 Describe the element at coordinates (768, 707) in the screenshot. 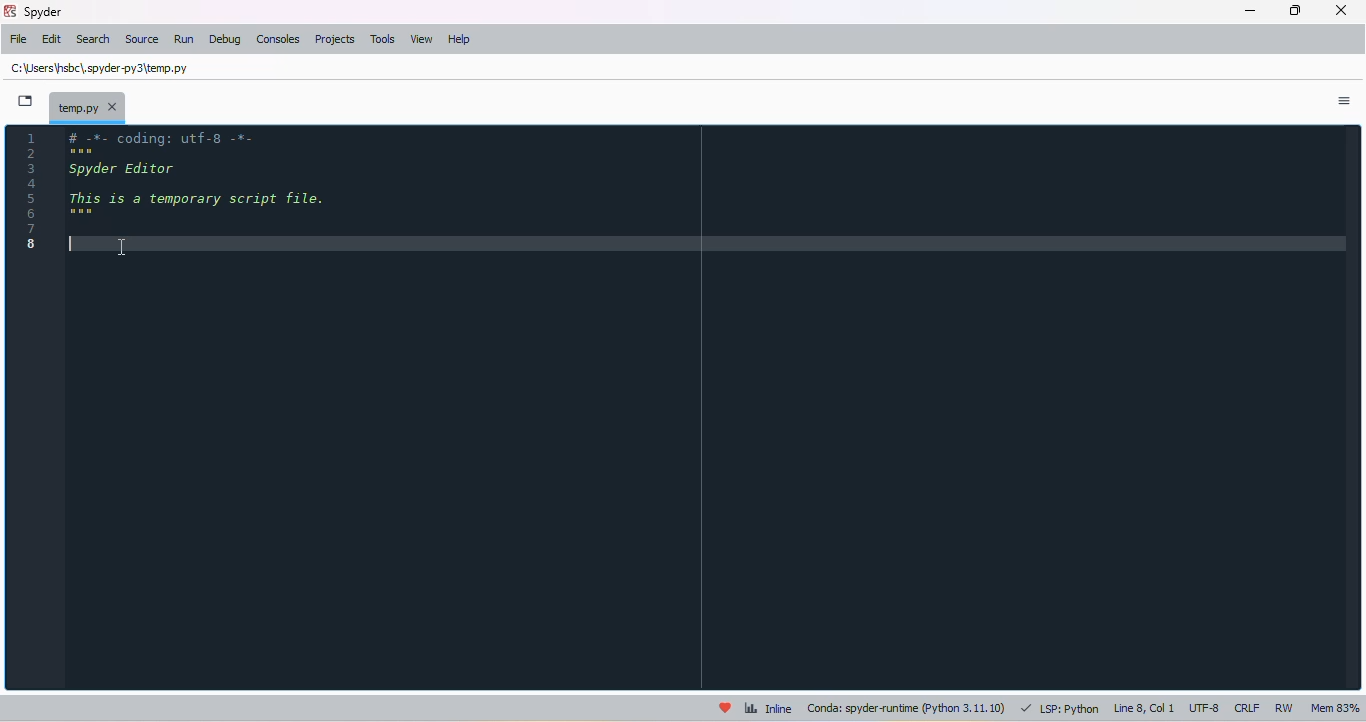

I see `inline` at that location.